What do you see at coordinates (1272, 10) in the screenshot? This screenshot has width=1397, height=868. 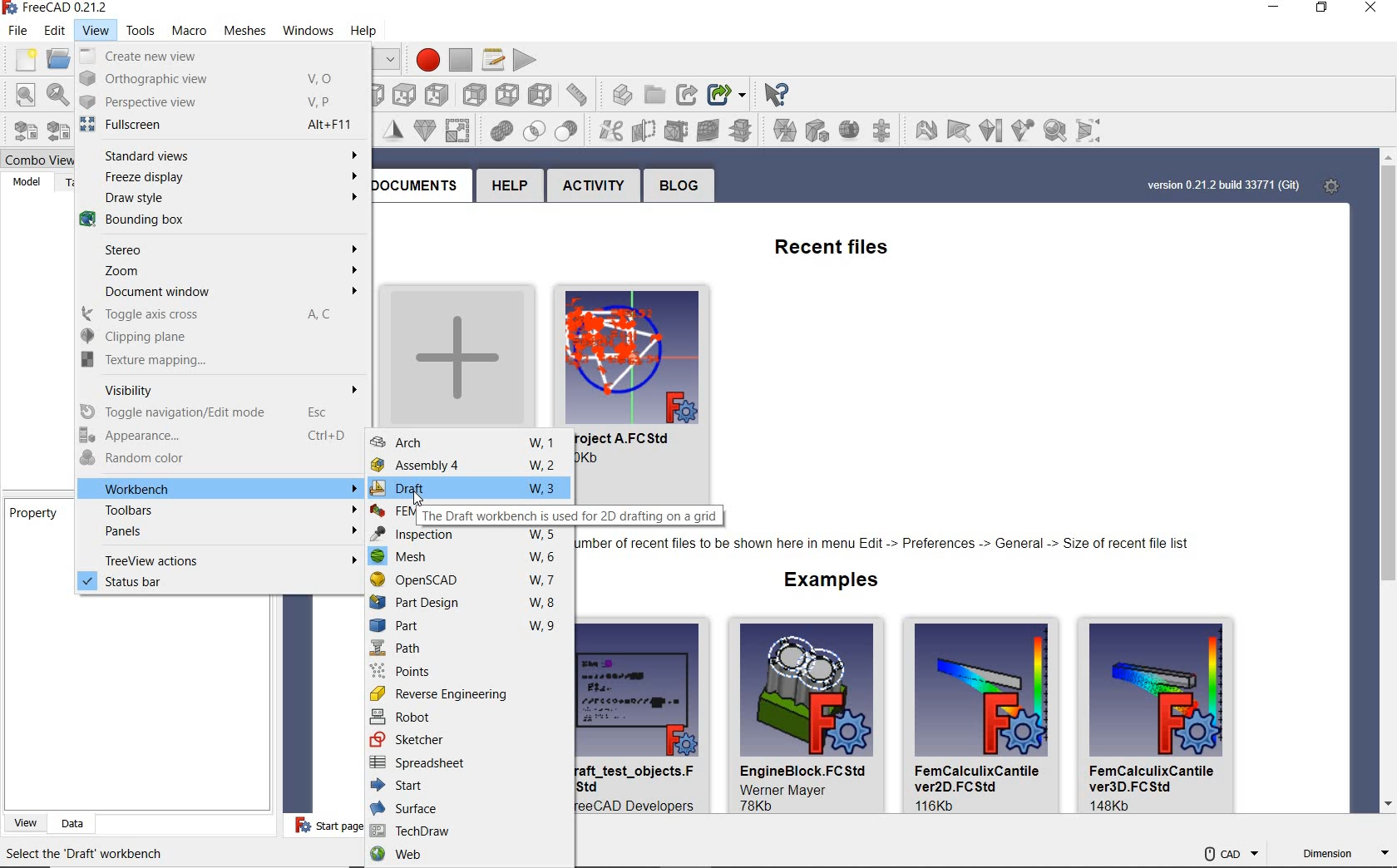 I see `minimize` at bounding box center [1272, 10].